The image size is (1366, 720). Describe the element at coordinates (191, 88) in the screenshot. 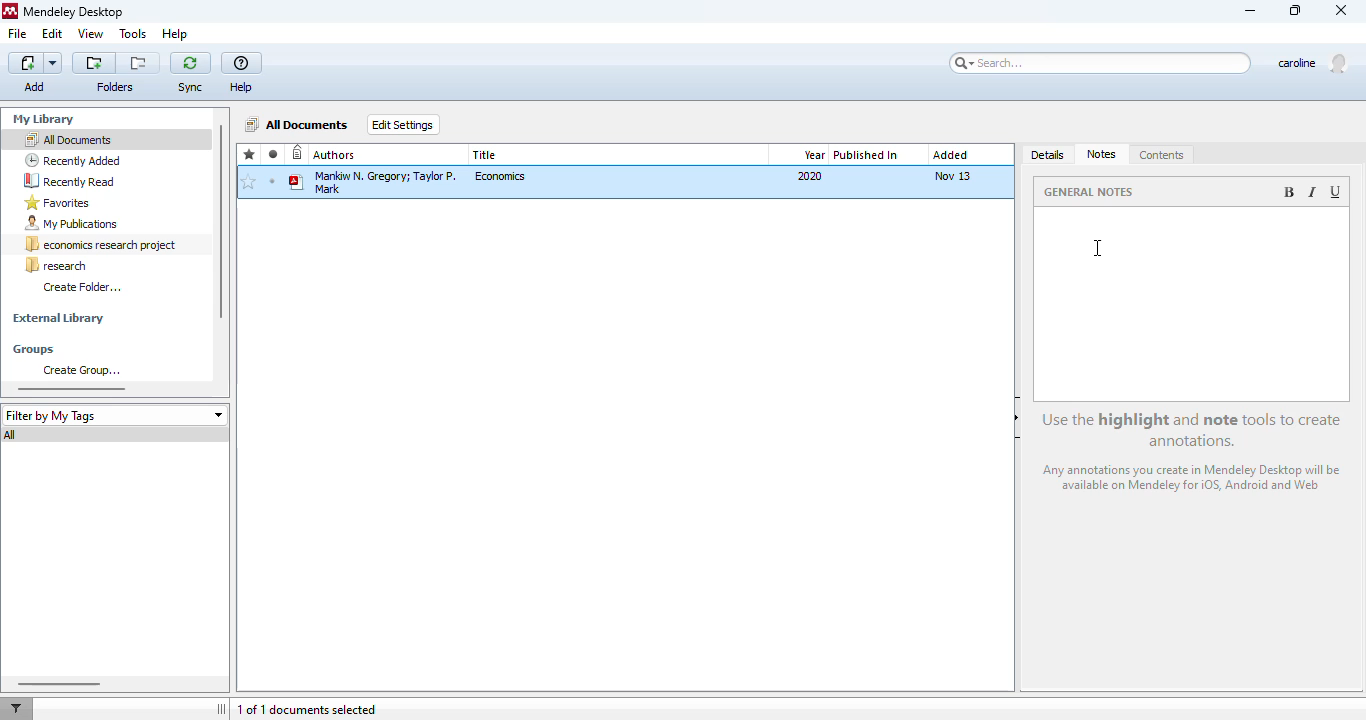

I see `Sync` at that location.